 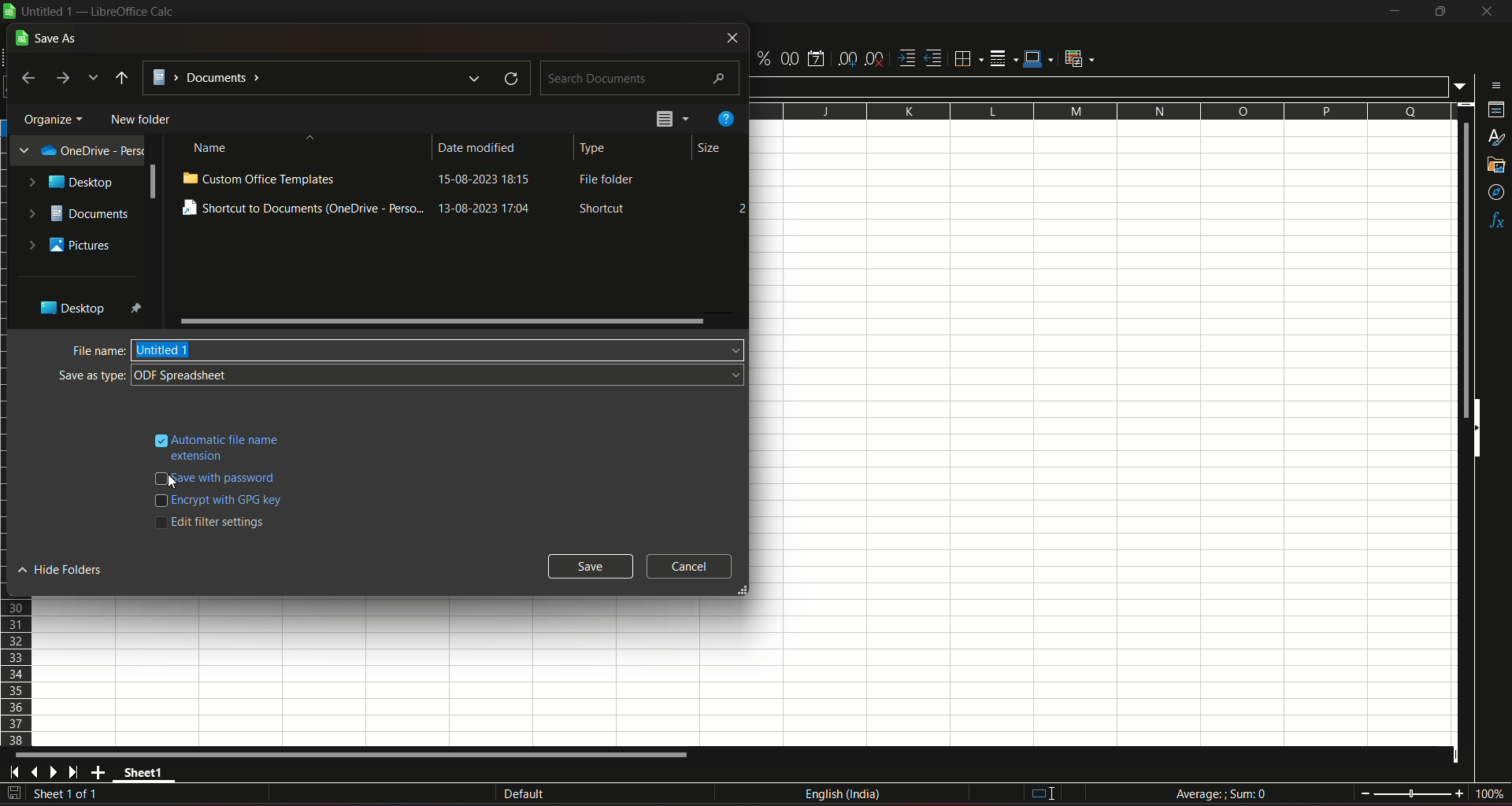 What do you see at coordinates (57, 773) in the screenshot?
I see `next sheet` at bounding box center [57, 773].